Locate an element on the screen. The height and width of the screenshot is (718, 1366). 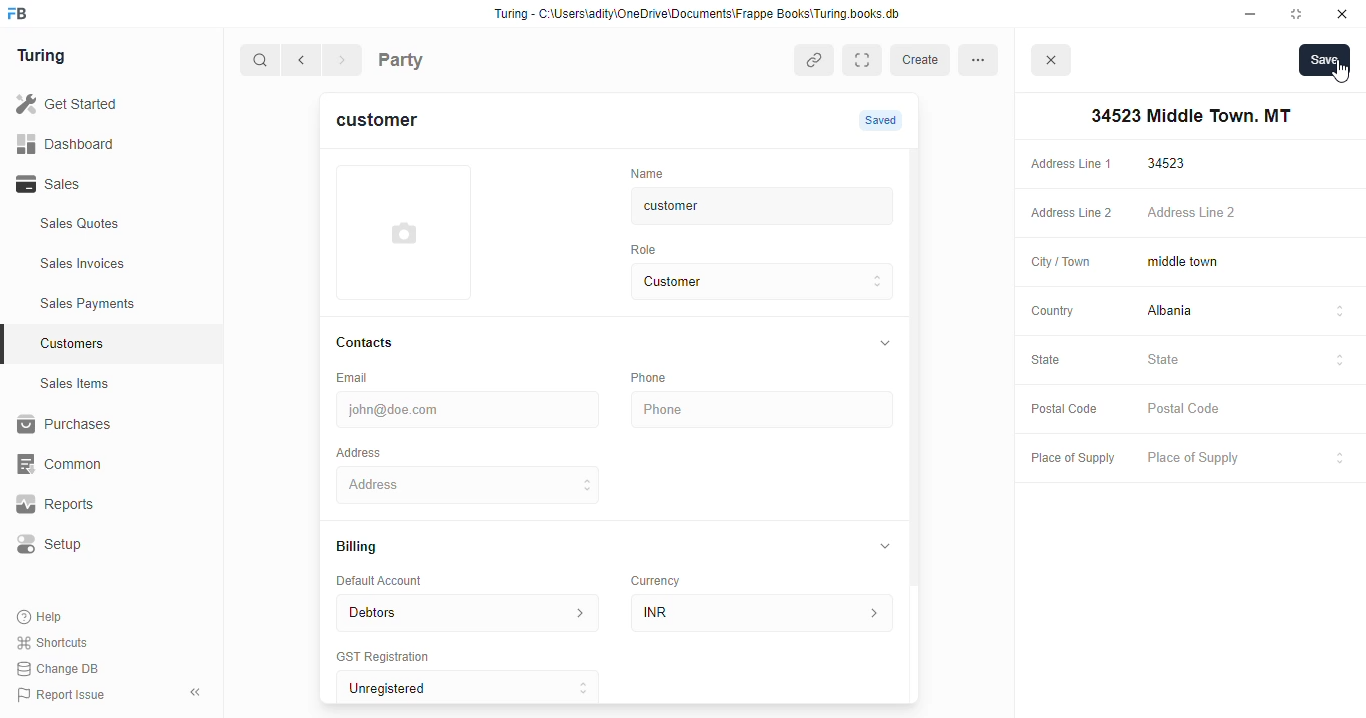
Address Line 1 is located at coordinates (1070, 162).